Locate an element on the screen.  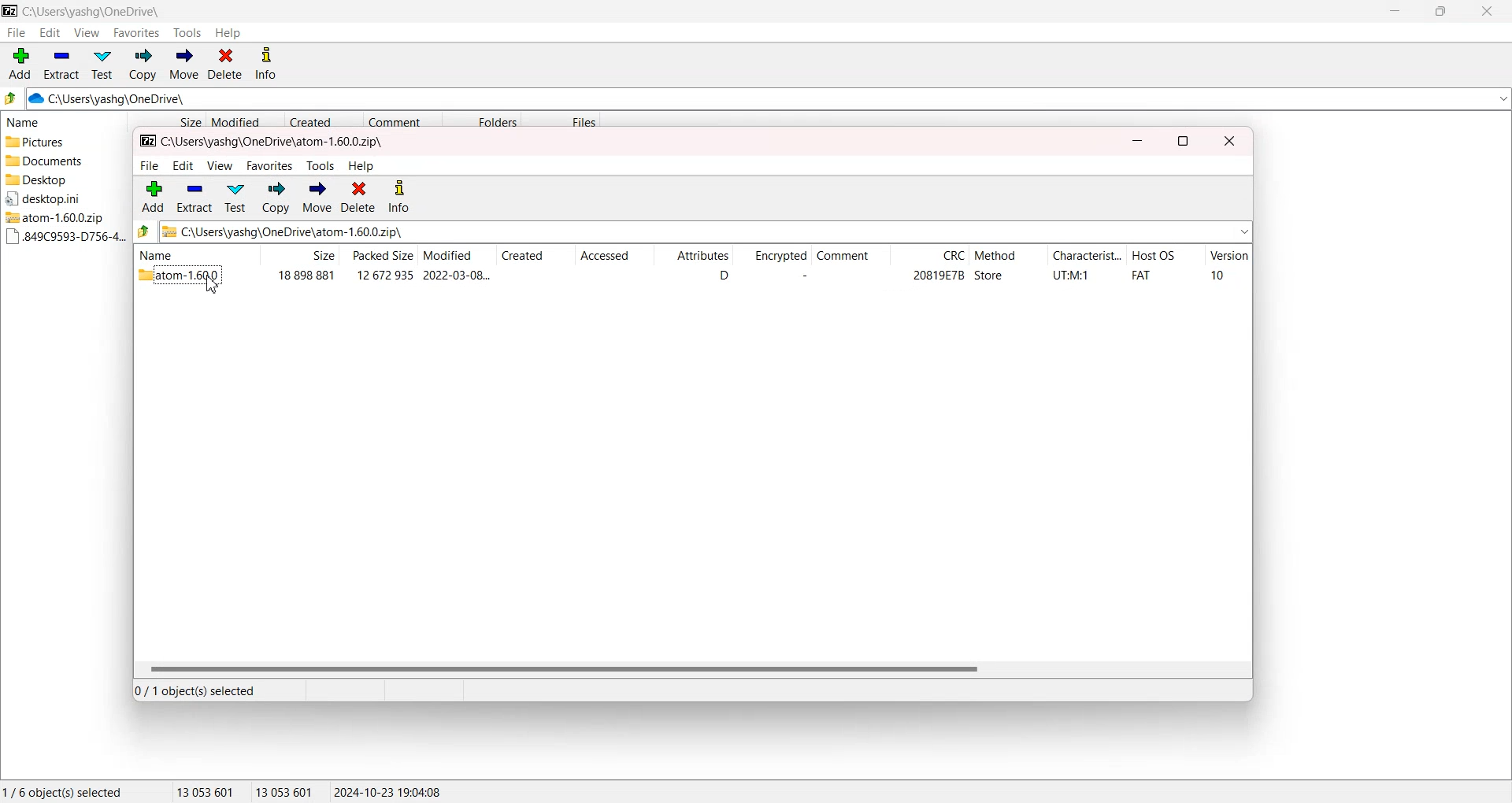
expand is located at coordinates (1244, 231).